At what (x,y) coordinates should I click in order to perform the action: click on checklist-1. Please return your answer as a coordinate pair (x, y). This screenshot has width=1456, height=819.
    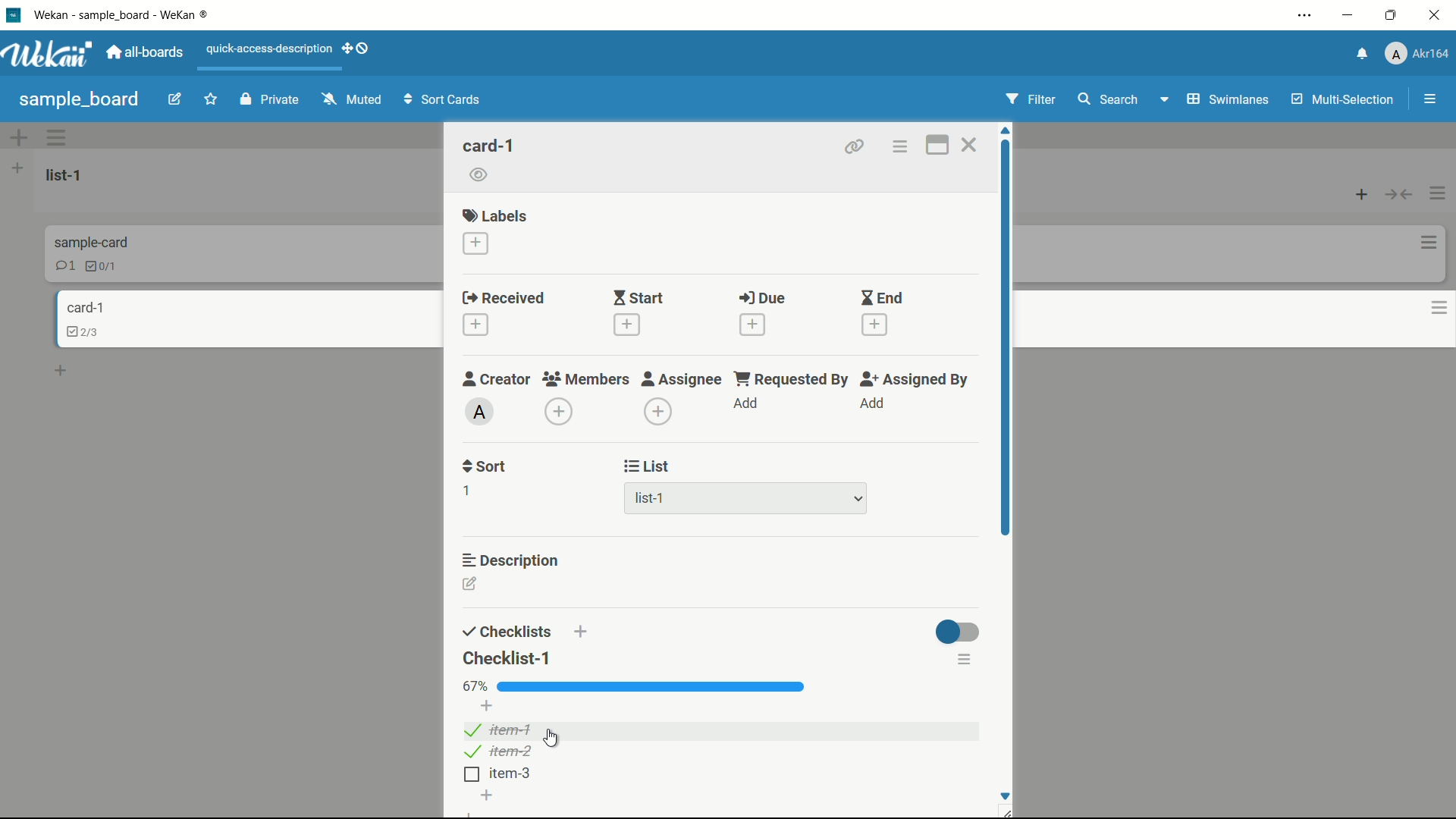
    Looking at the image, I should click on (509, 657).